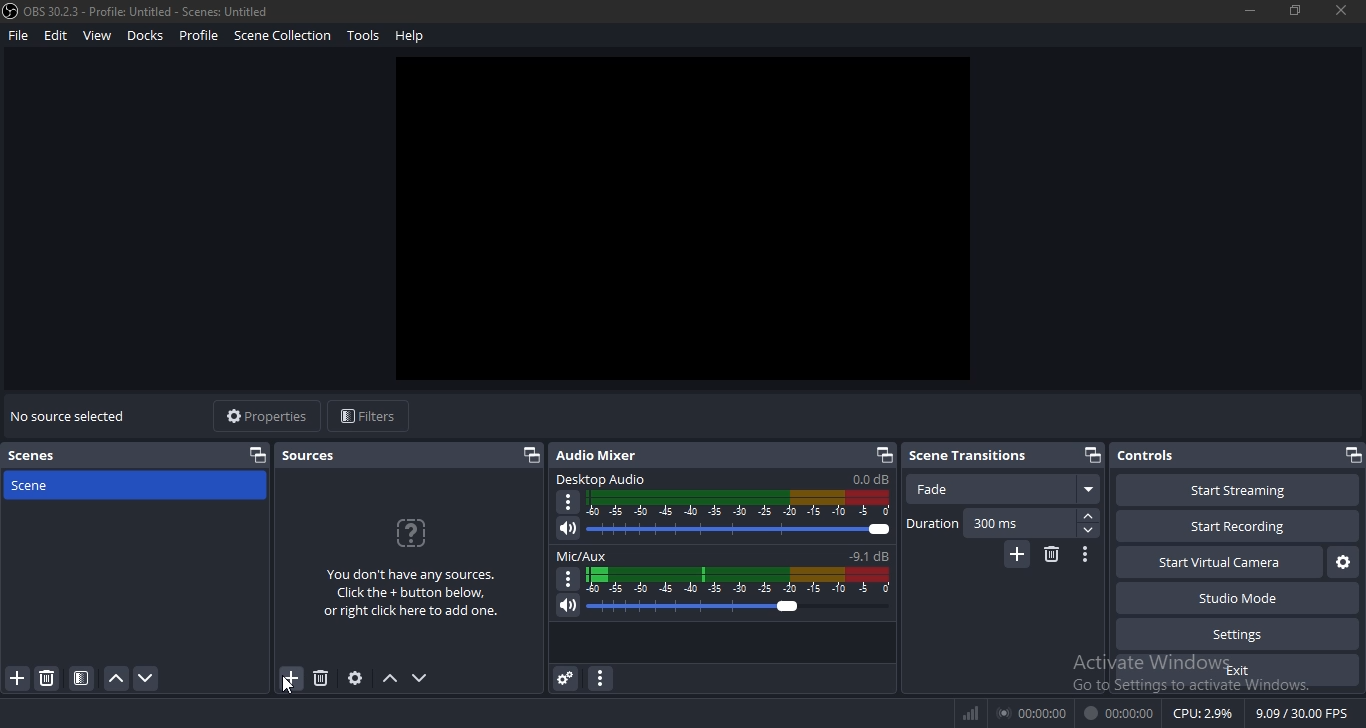 The image size is (1366, 728). What do you see at coordinates (410, 37) in the screenshot?
I see `help` at bounding box center [410, 37].